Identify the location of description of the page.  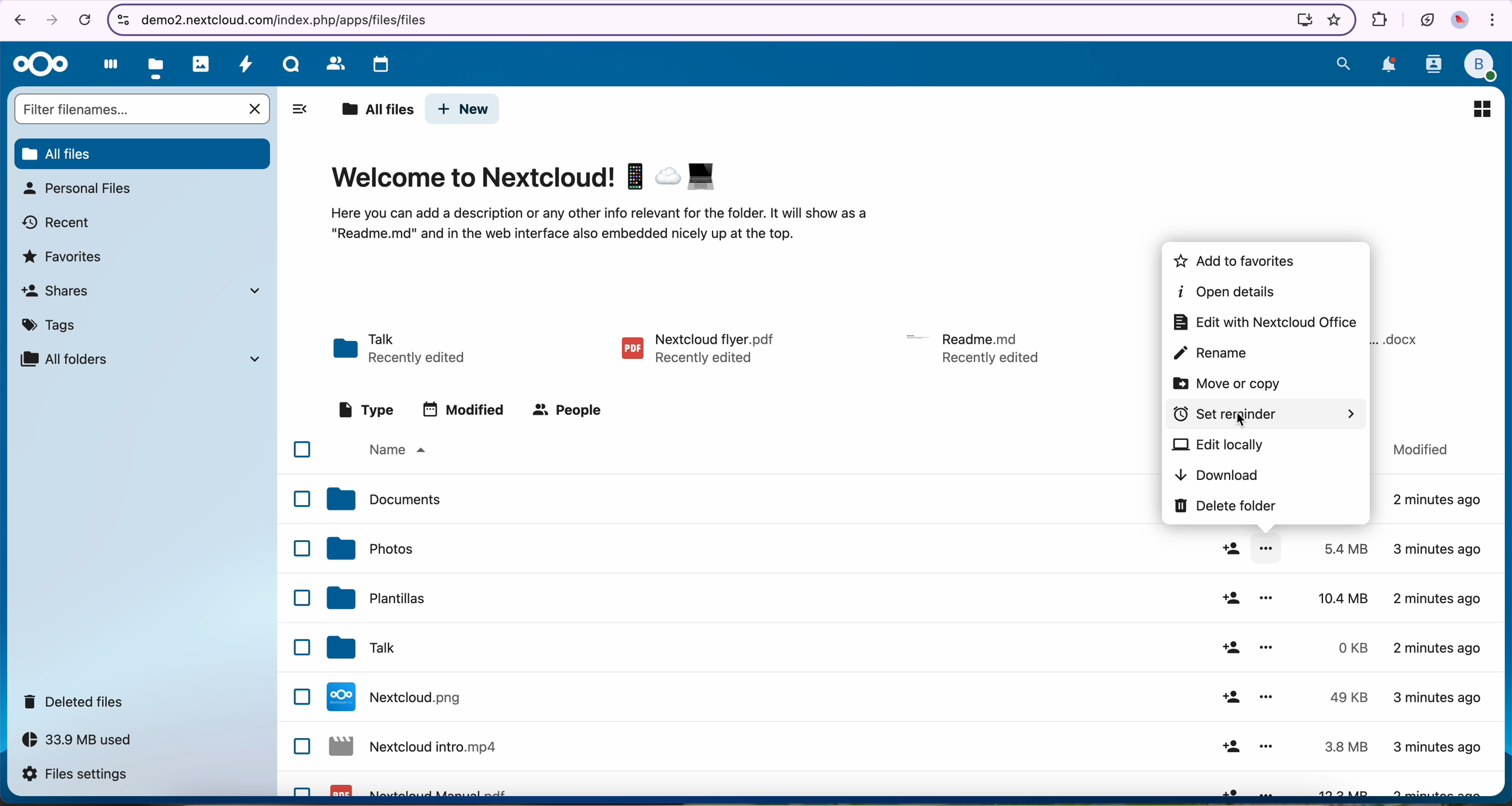
(603, 226).